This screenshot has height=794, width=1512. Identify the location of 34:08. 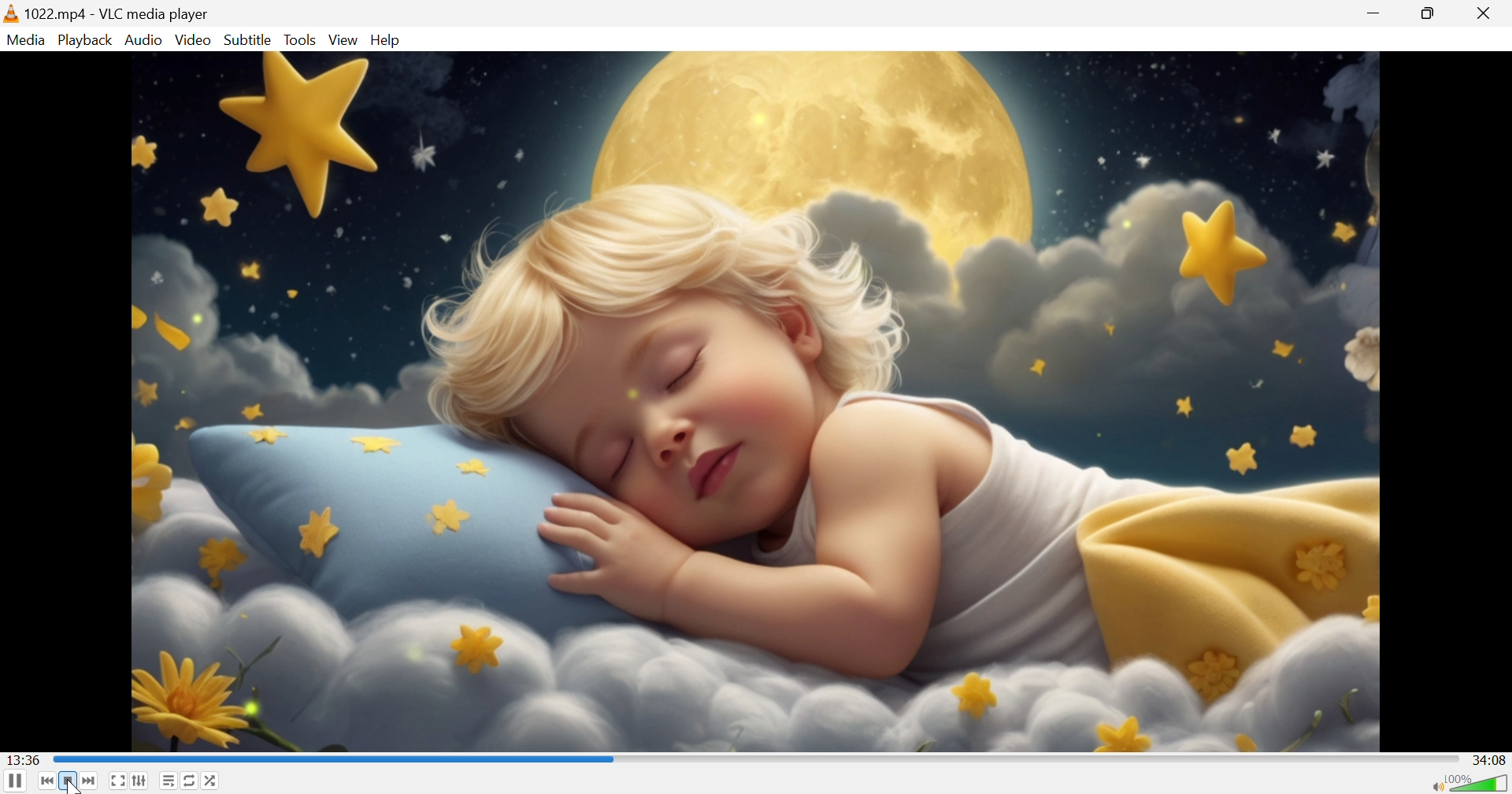
(1492, 760).